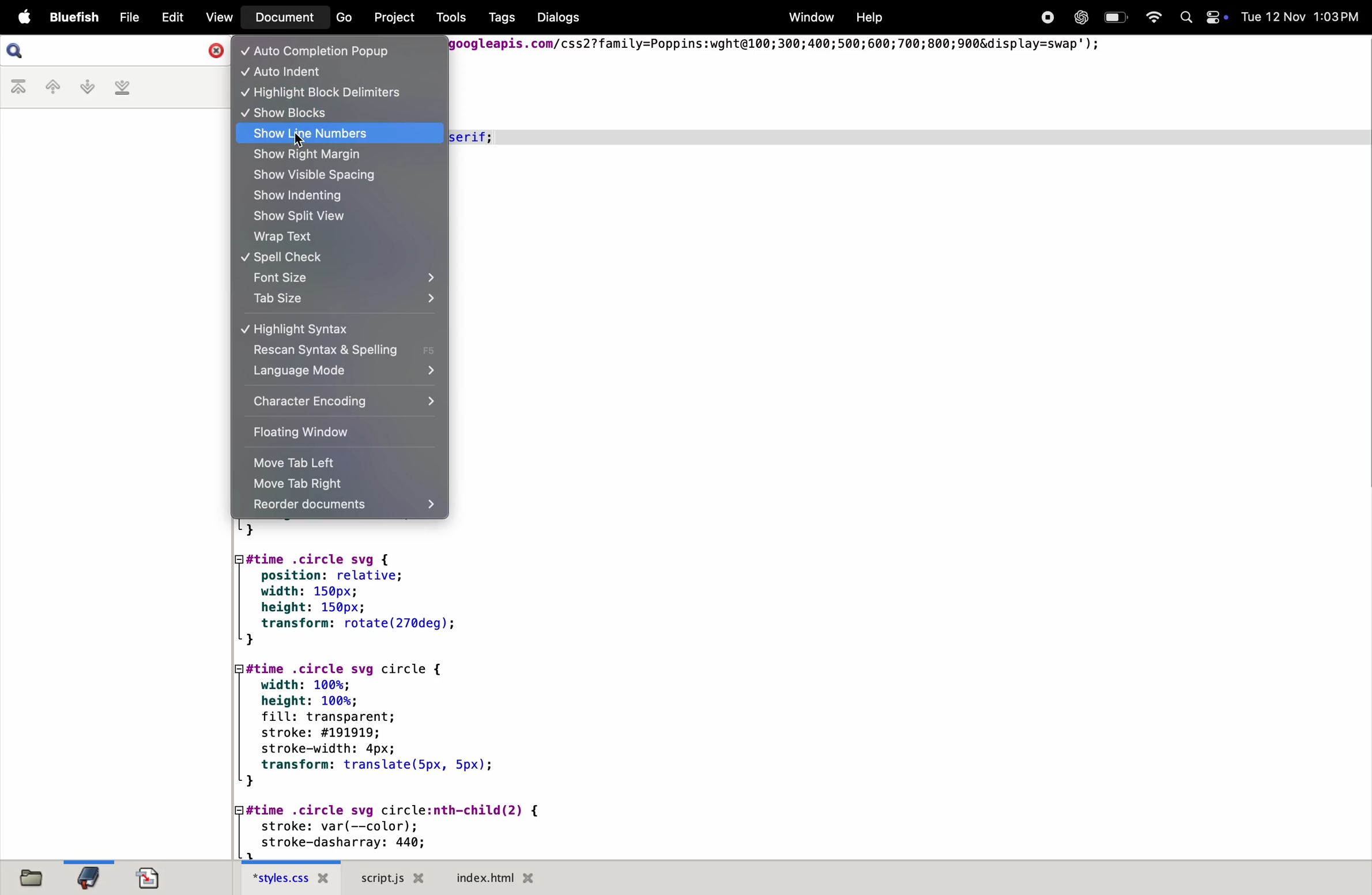 The width and height of the screenshot is (1372, 895). What do you see at coordinates (337, 279) in the screenshot?
I see `font size` at bounding box center [337, 279].